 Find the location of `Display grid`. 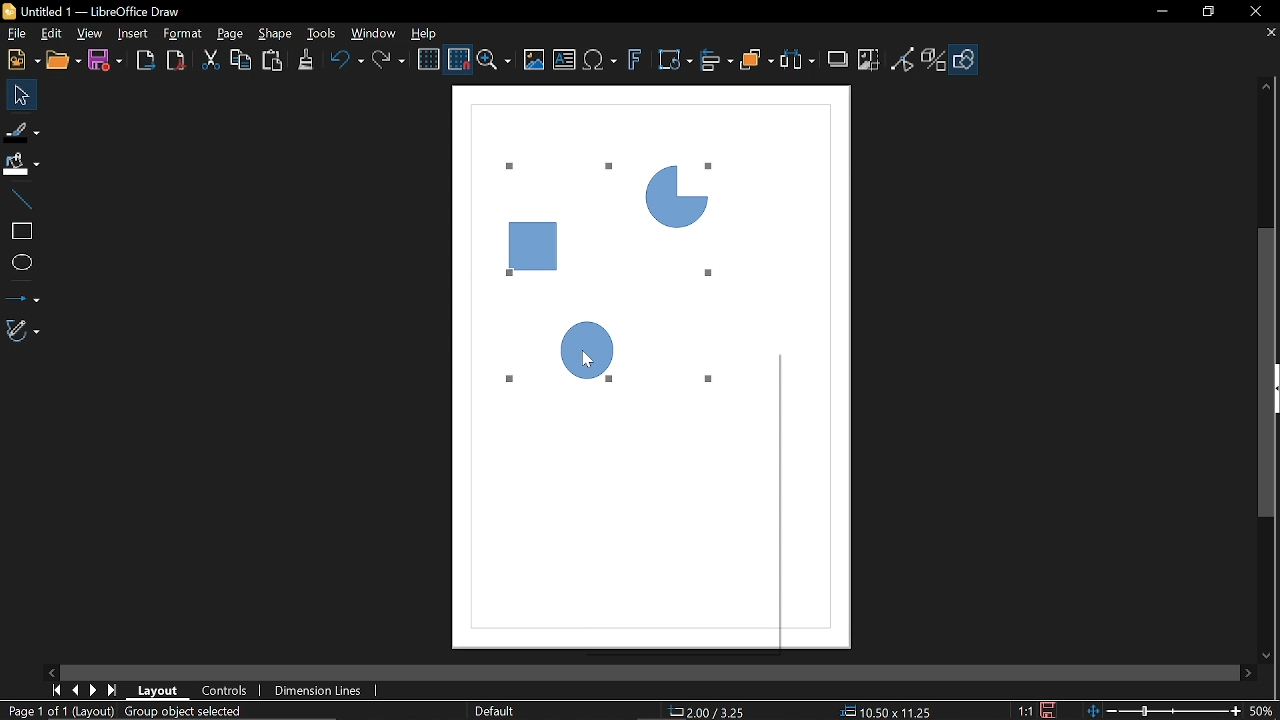

Display grid is located at coordinates (428, 60).